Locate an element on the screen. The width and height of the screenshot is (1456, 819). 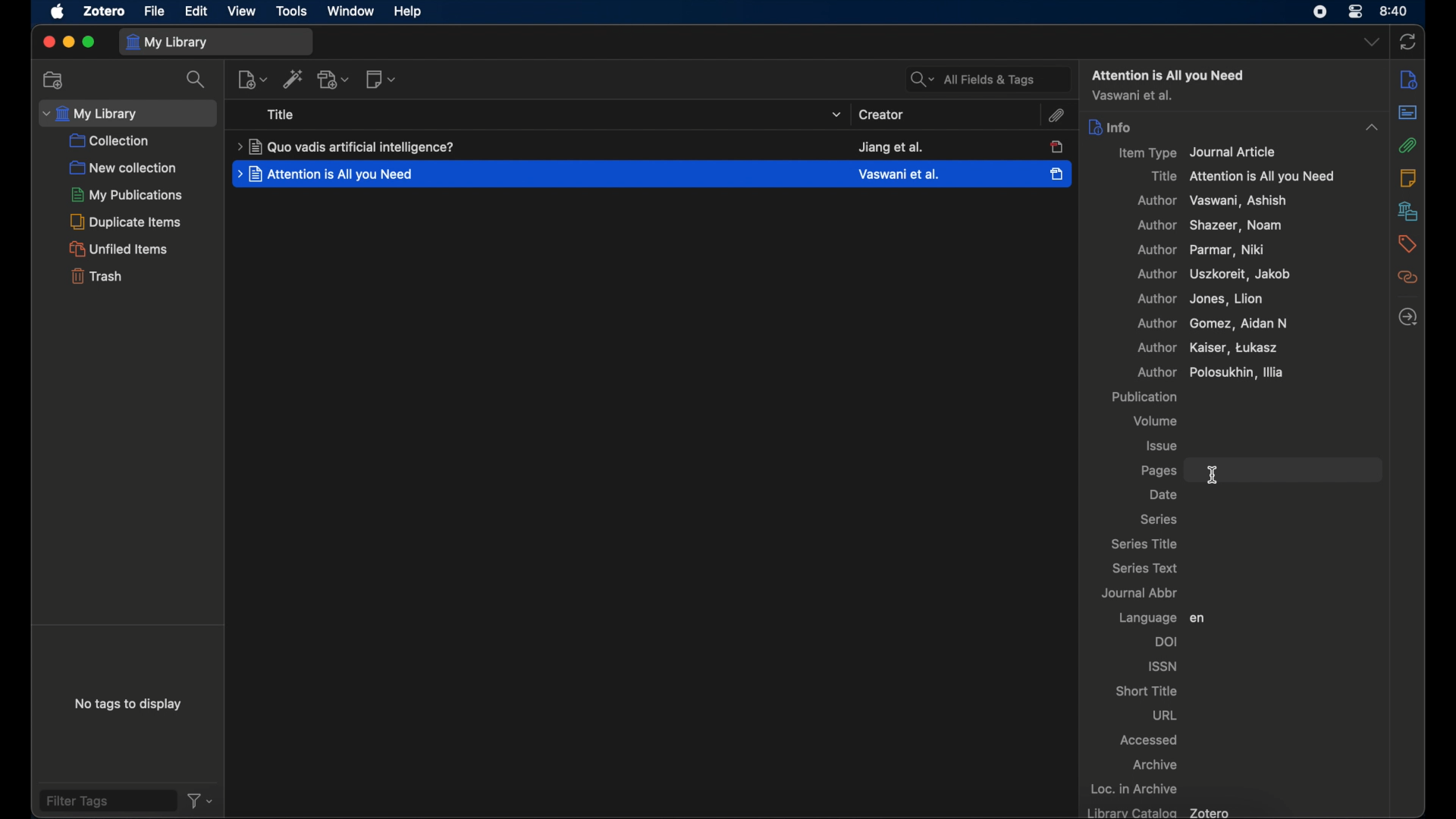
item type journal article is located at coordinates (1205, 153).